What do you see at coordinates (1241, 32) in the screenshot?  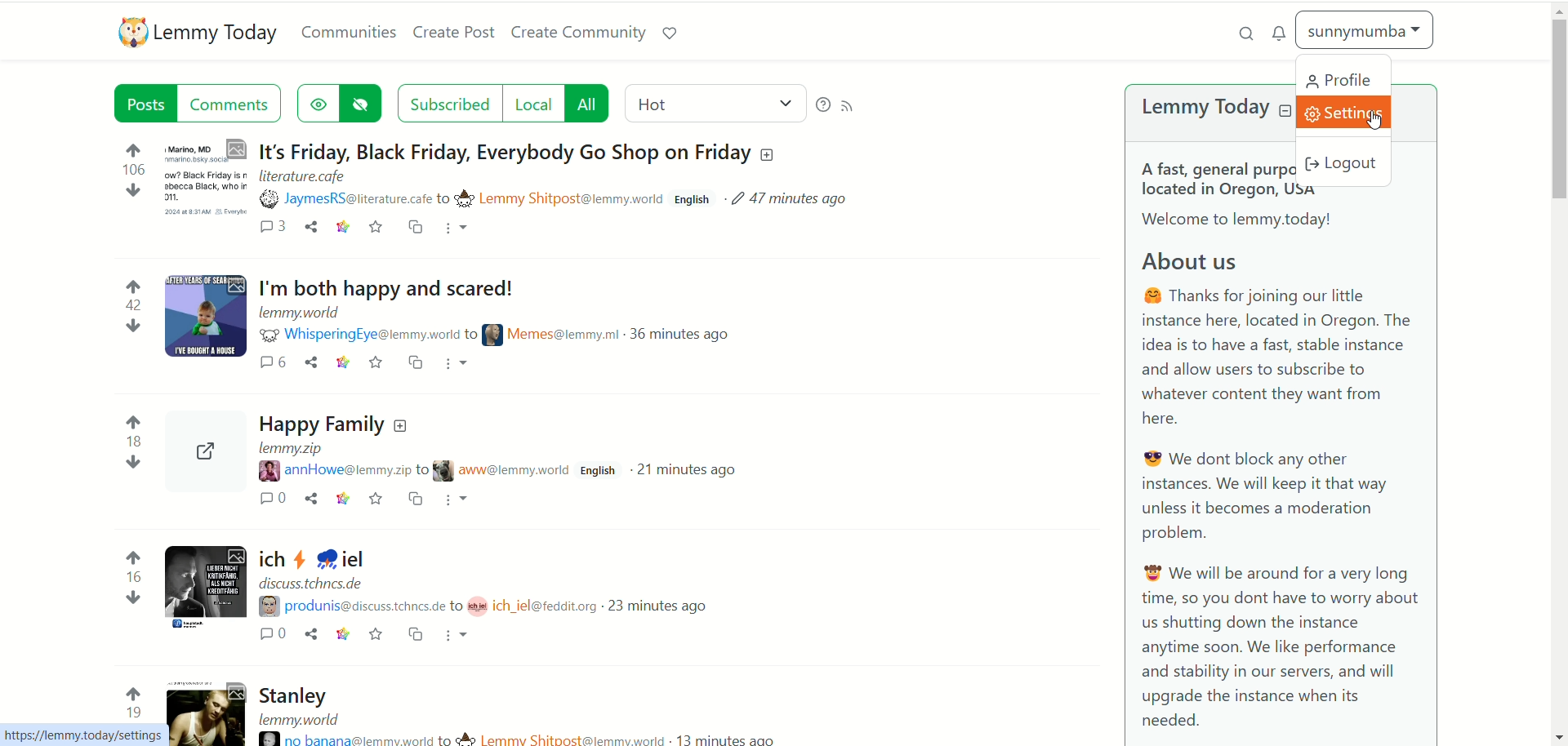 I see `search` at bounding box center [1241, 32].